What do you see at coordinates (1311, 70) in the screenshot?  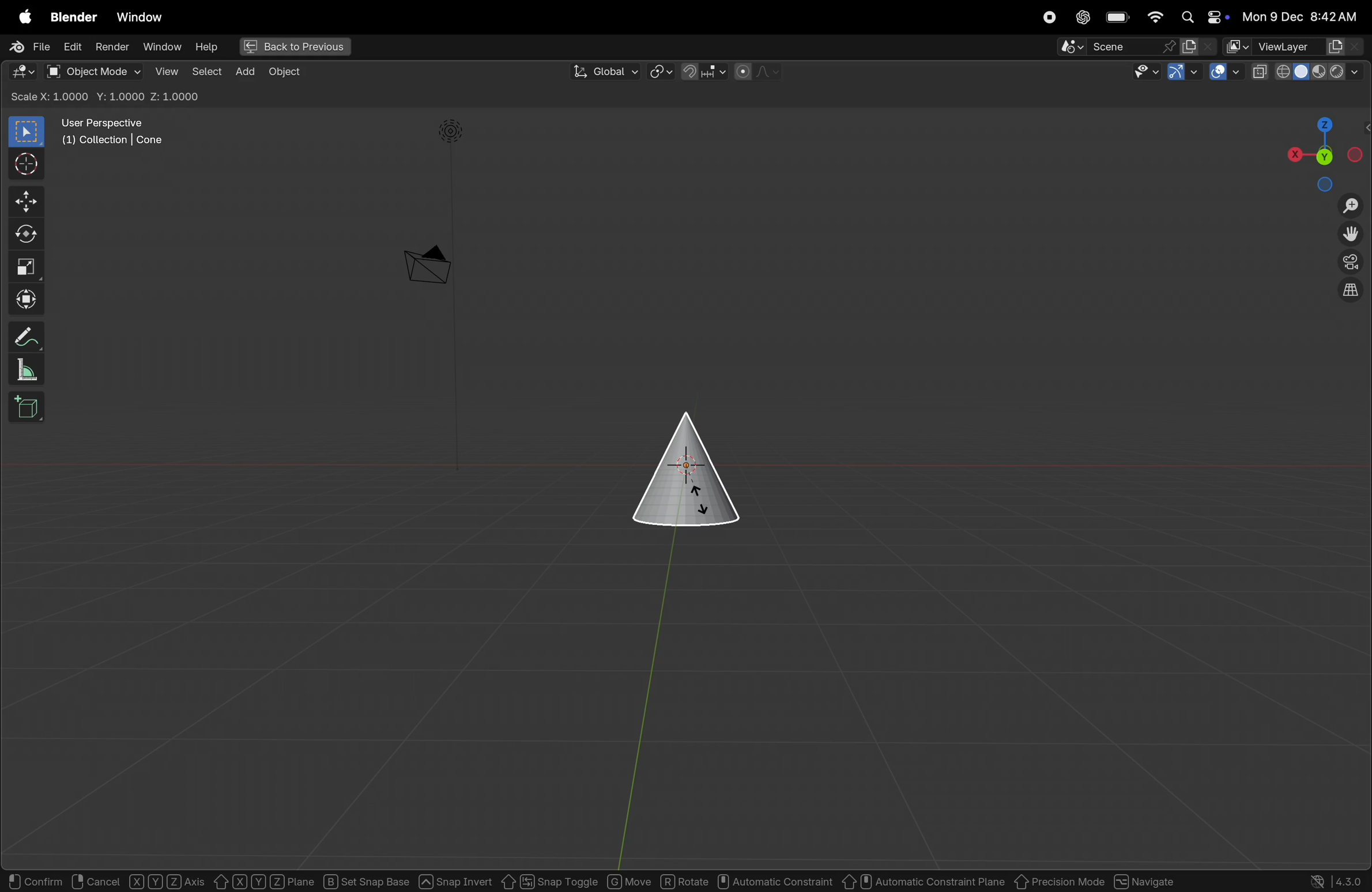 I see `view port shading` at bounding box center [1311, 70].